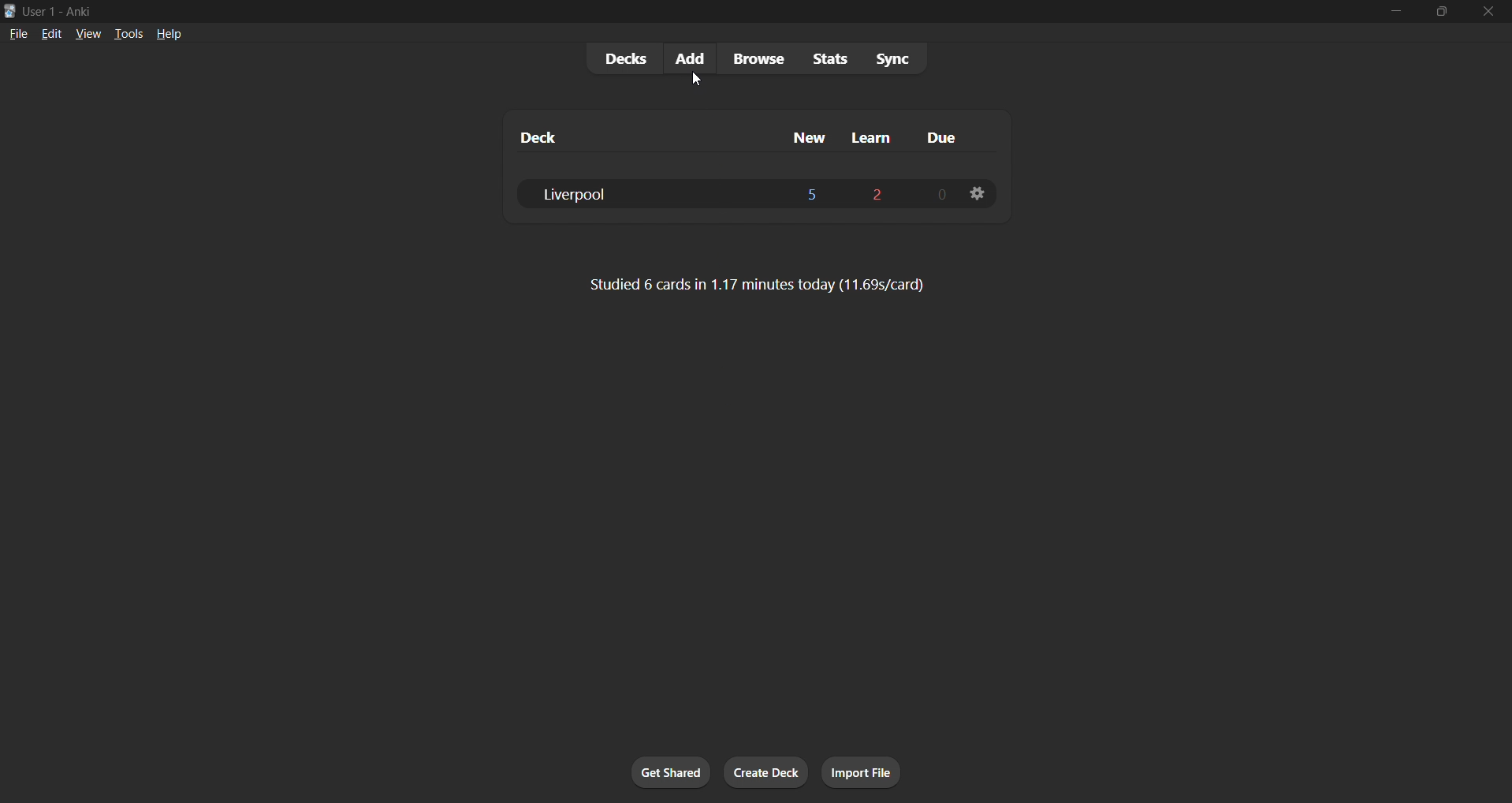 The width and height of the screenshot is (1512, 803). What do you see at coordinates (17, 35) in the screenshot?
I see `file` at bounding box center [17, 35].